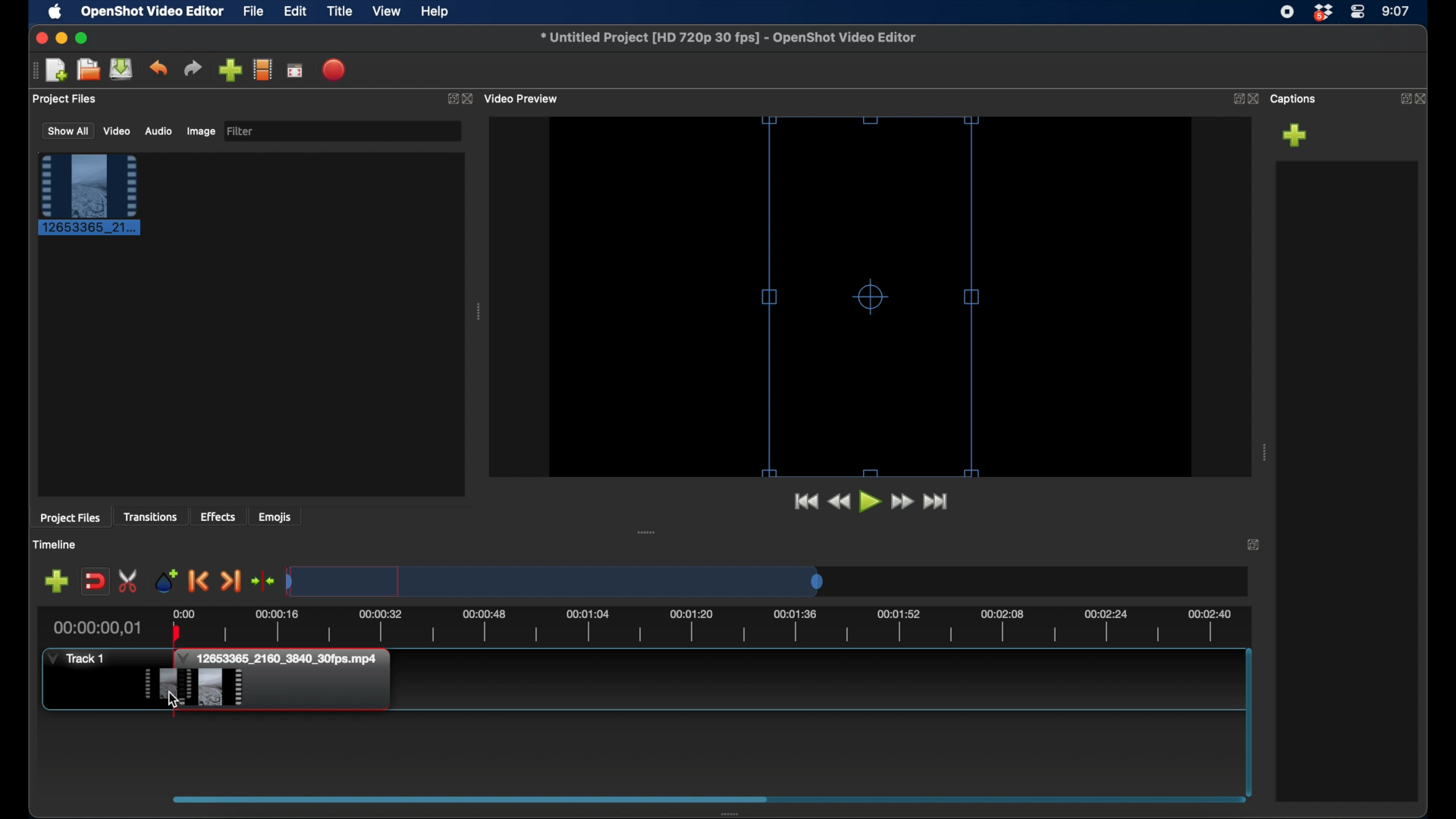 The width and height of the screenshot is (1456, 819). What do you see at coordinates (254, 12) in the screenshot?
I see `file` at bounding box center [254, 12].